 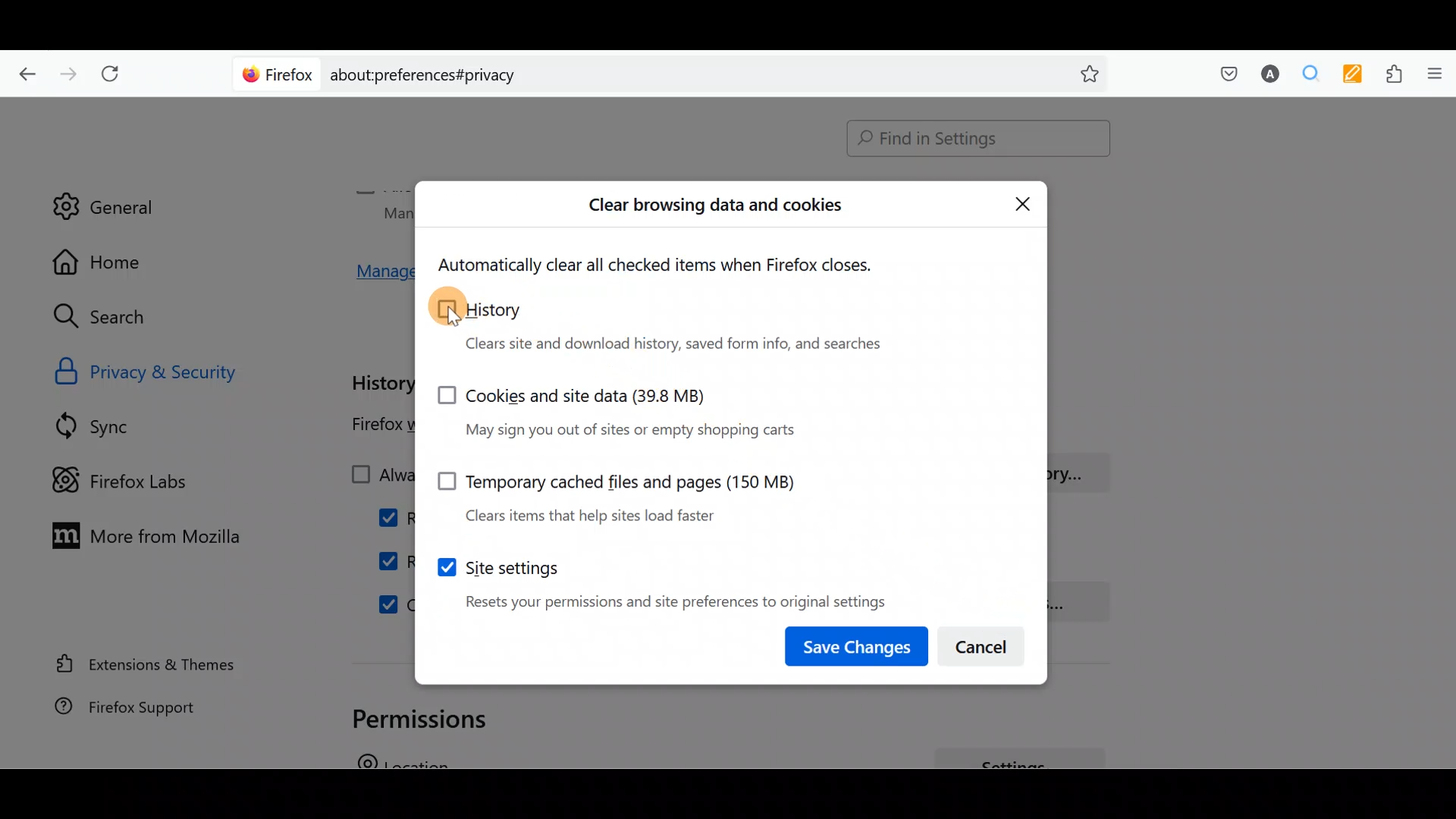 I want to click on Extension & themes, so click(x=149, y=667).